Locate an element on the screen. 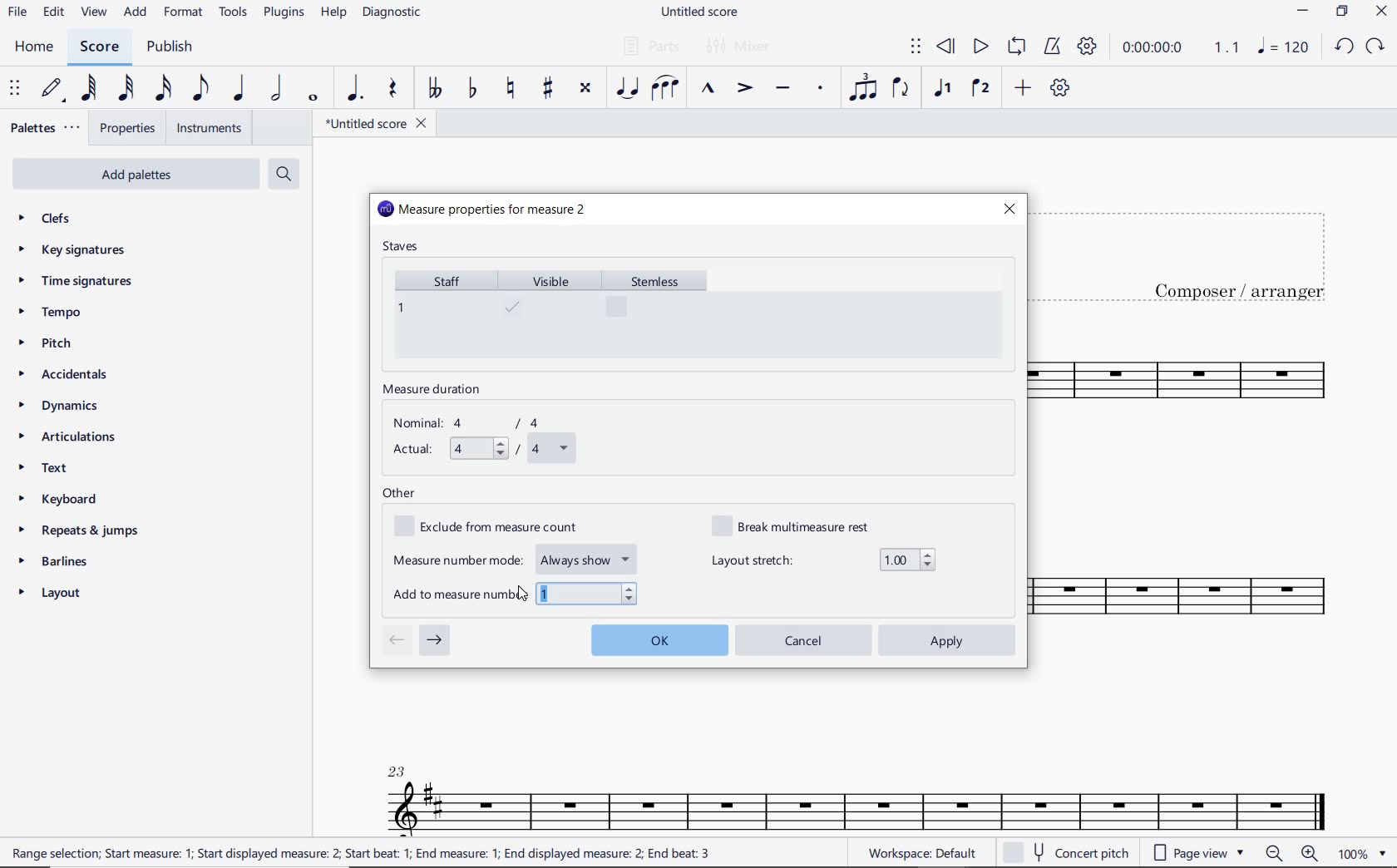 The height and width of the screenshot is (868, 1397). apply is located at coordinates (949, 640).